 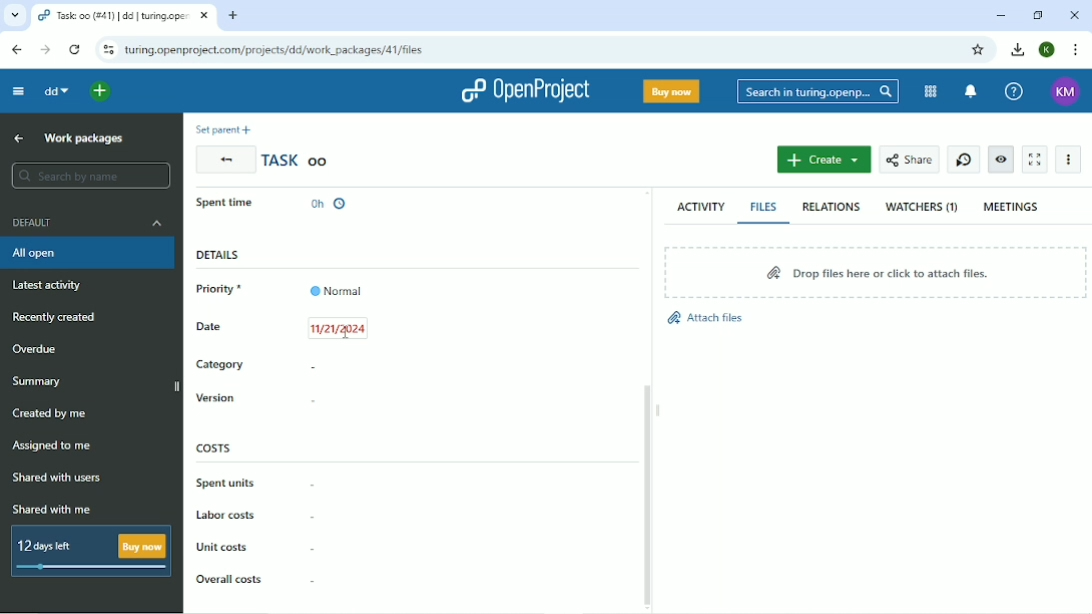 I want to click on All open, so click(x=87, y=253).